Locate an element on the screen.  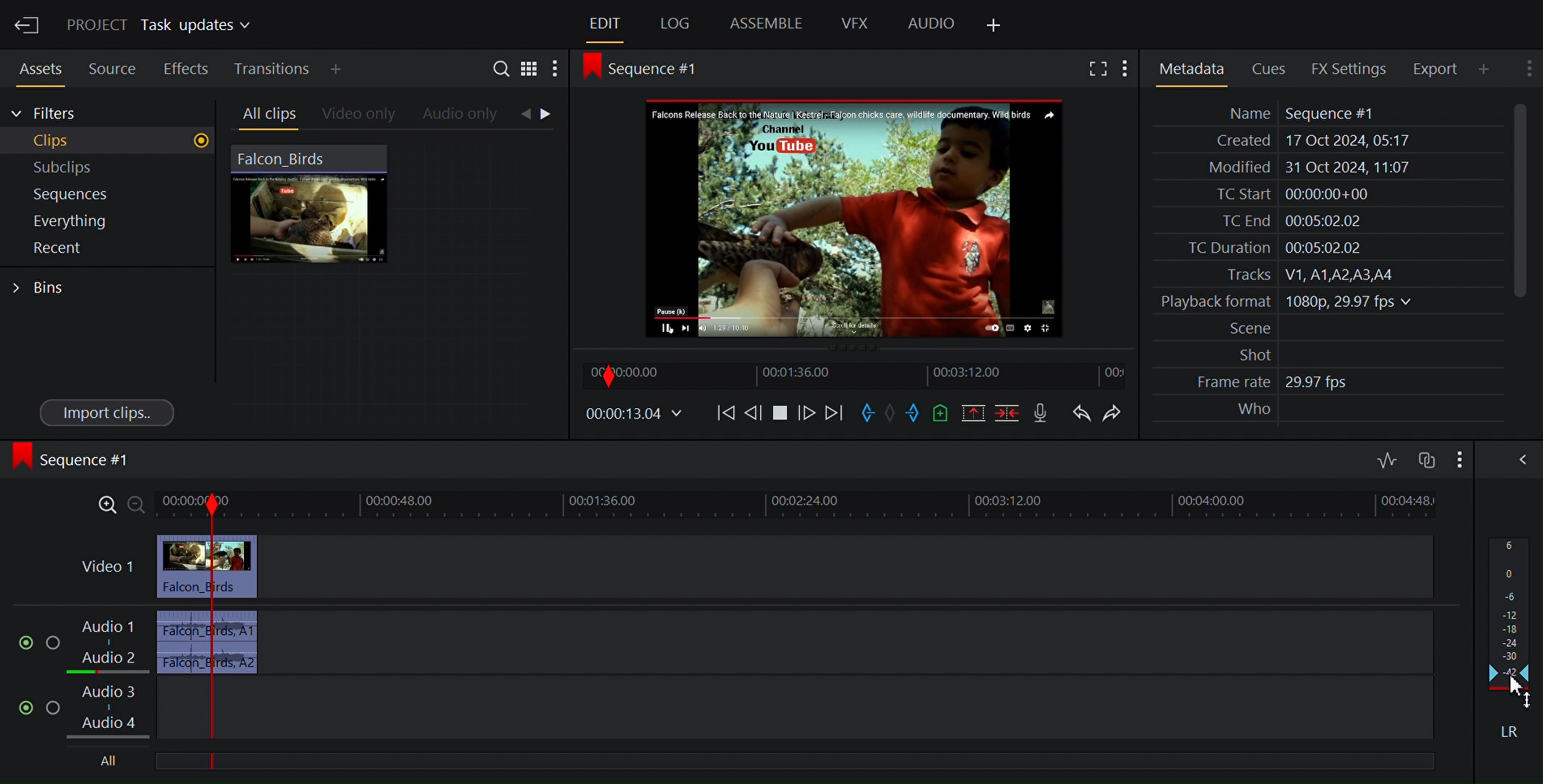
Sequence #1 is located at coordinates (649, 71).